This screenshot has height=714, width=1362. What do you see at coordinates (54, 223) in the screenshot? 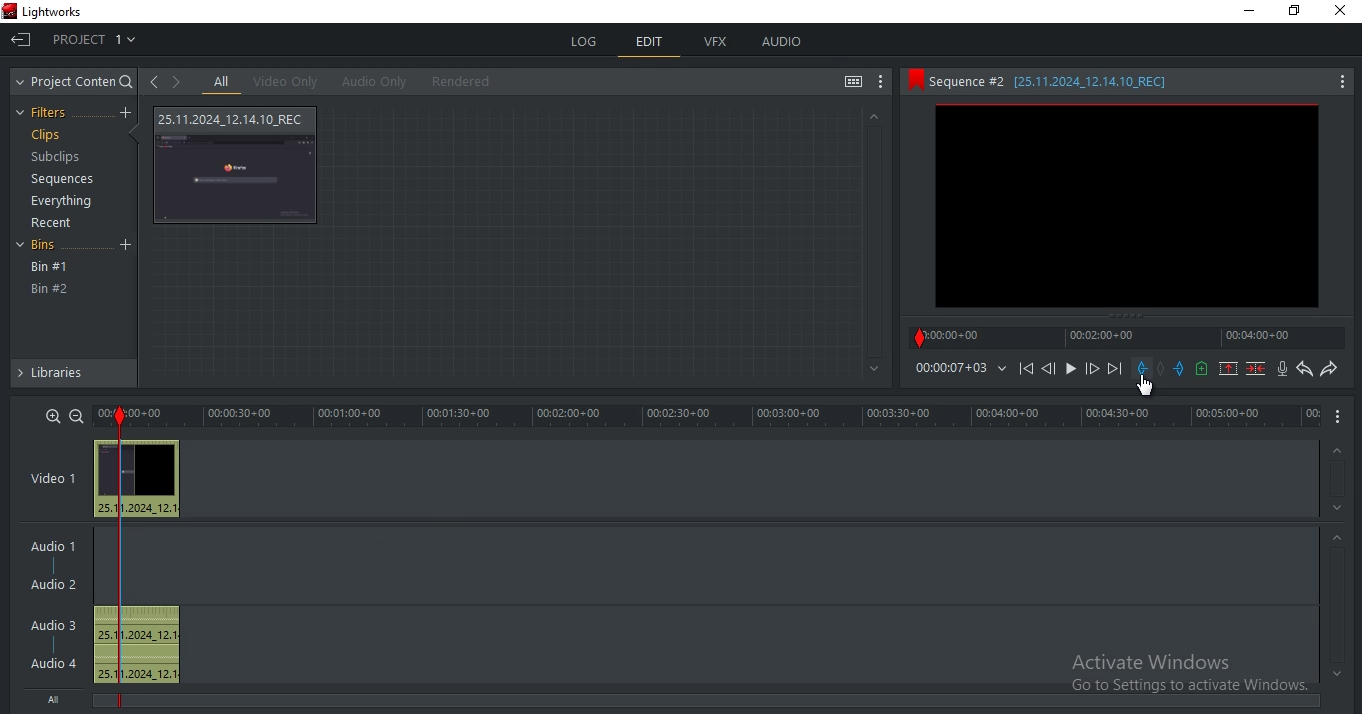
I see `recent` at bounding box center [54, 223].